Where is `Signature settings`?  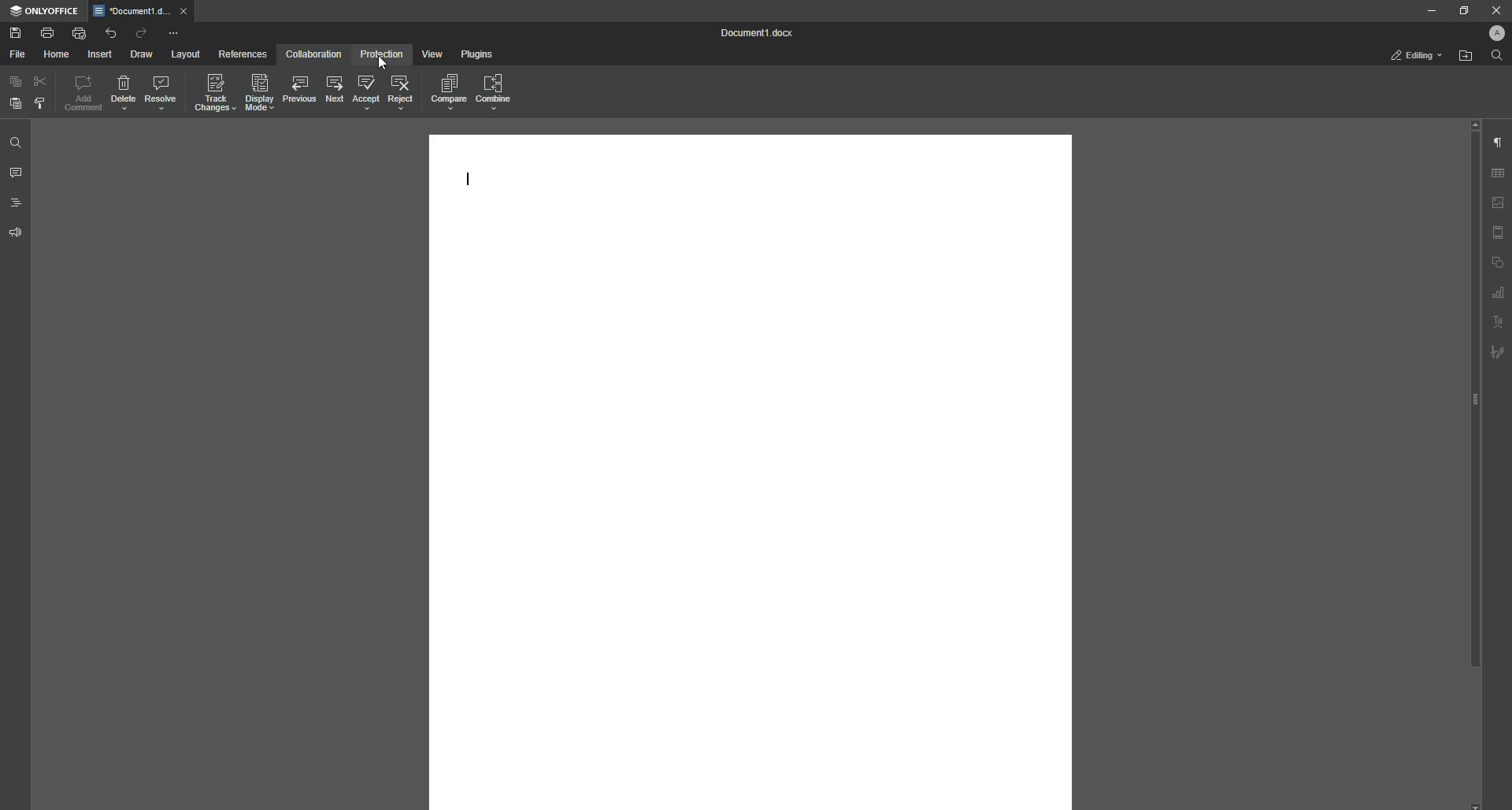 Signature settings is located at coordinates (1499, 354).